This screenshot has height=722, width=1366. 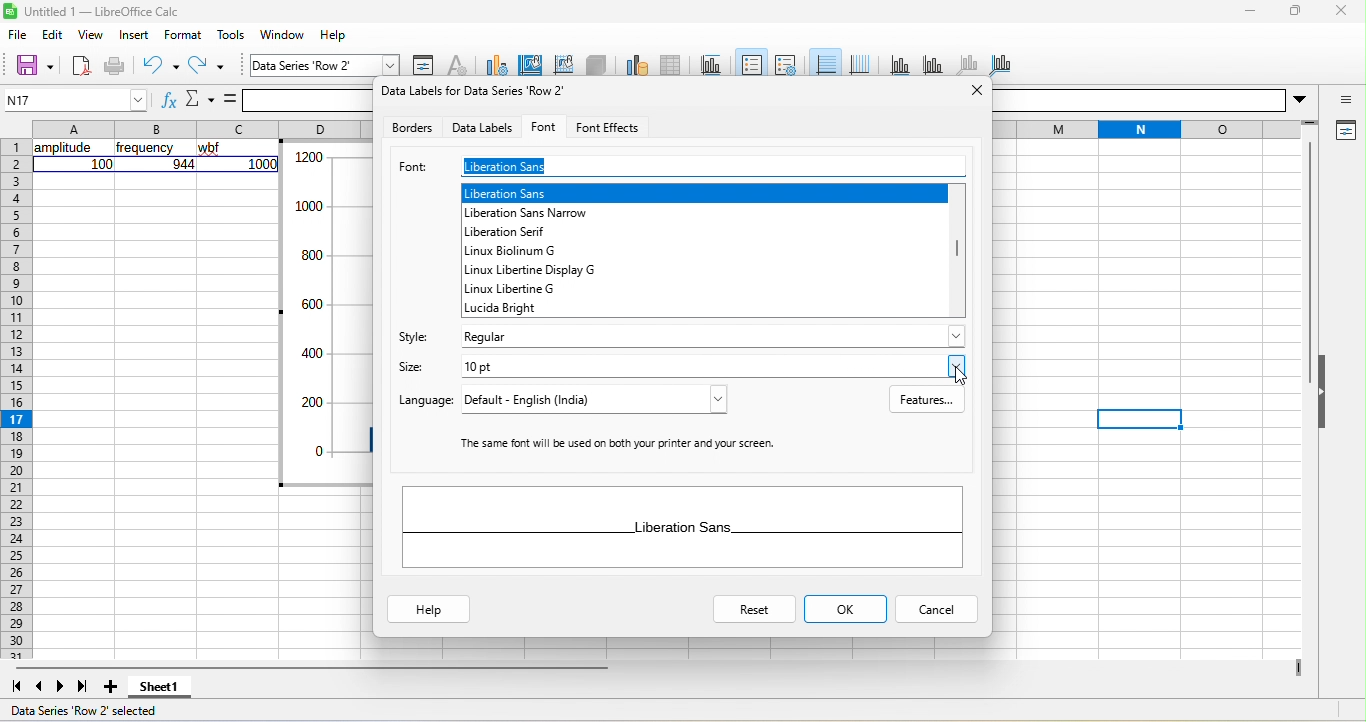 I want to click on frequency, so click(x=146, y=149).